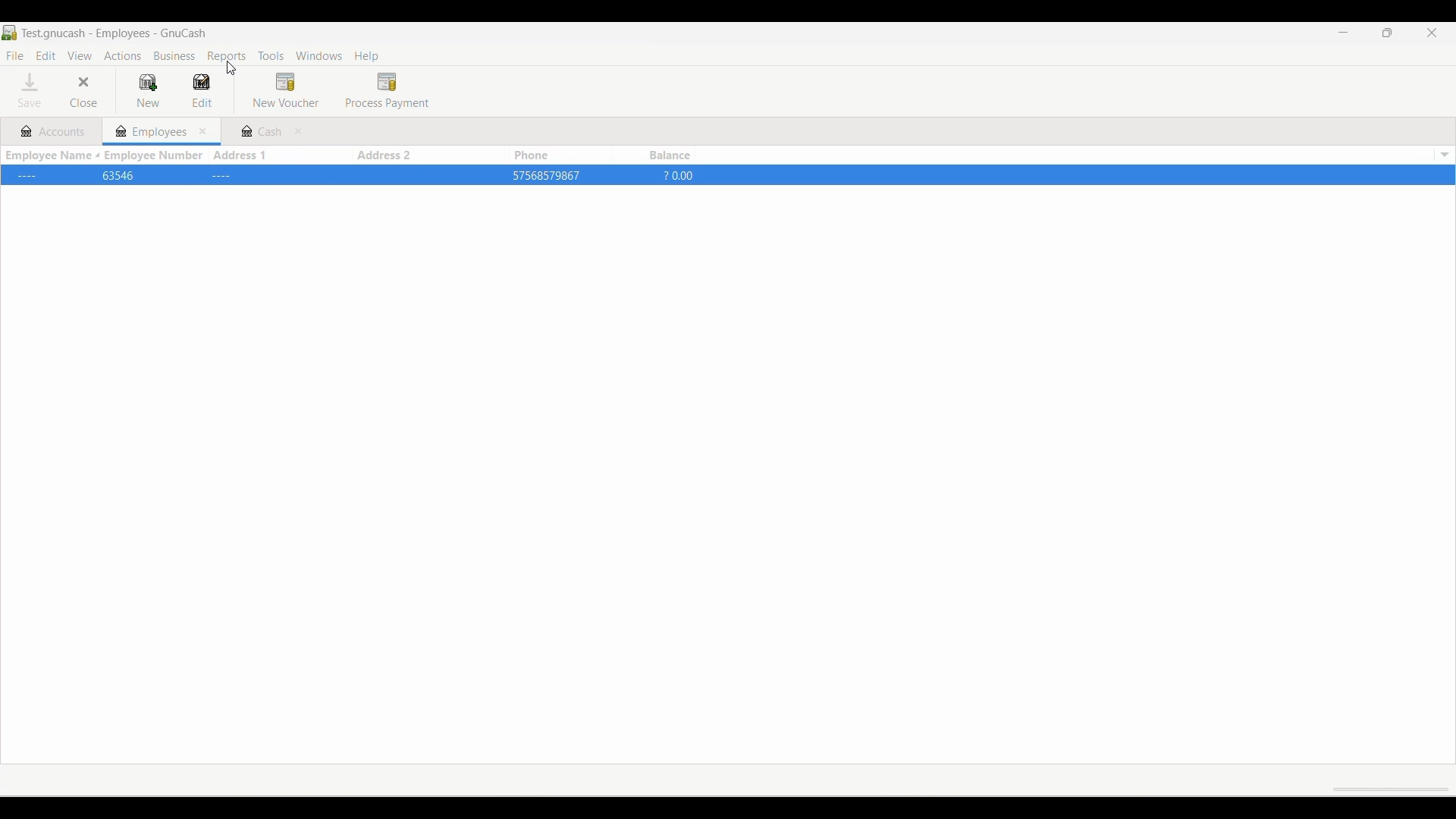 The height and width of the screenshot is (819, 1456). What do you see at coordinates (670, 155) in the screenshot?
I see `Balance column` at bounding box center [670, 155].